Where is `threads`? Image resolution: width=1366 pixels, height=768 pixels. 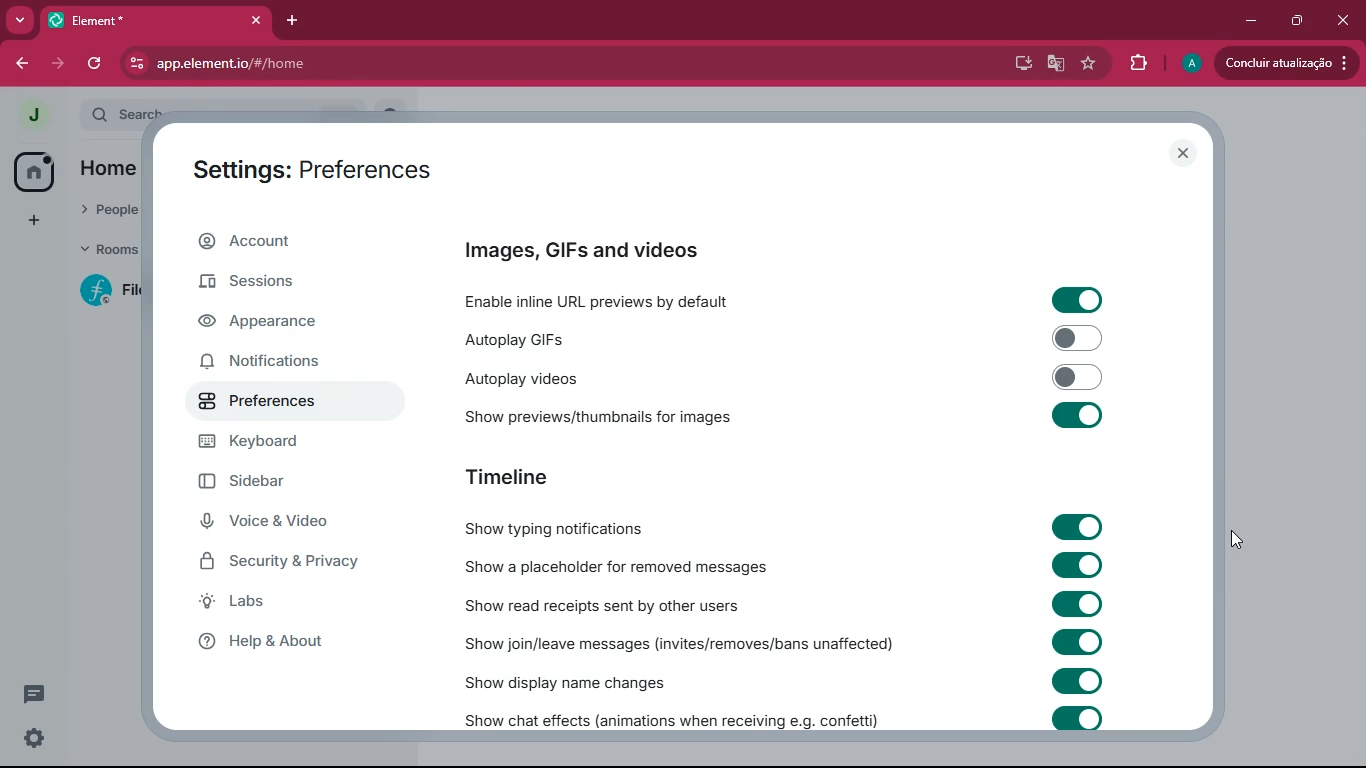 threads is located at coordinates (34, 694).